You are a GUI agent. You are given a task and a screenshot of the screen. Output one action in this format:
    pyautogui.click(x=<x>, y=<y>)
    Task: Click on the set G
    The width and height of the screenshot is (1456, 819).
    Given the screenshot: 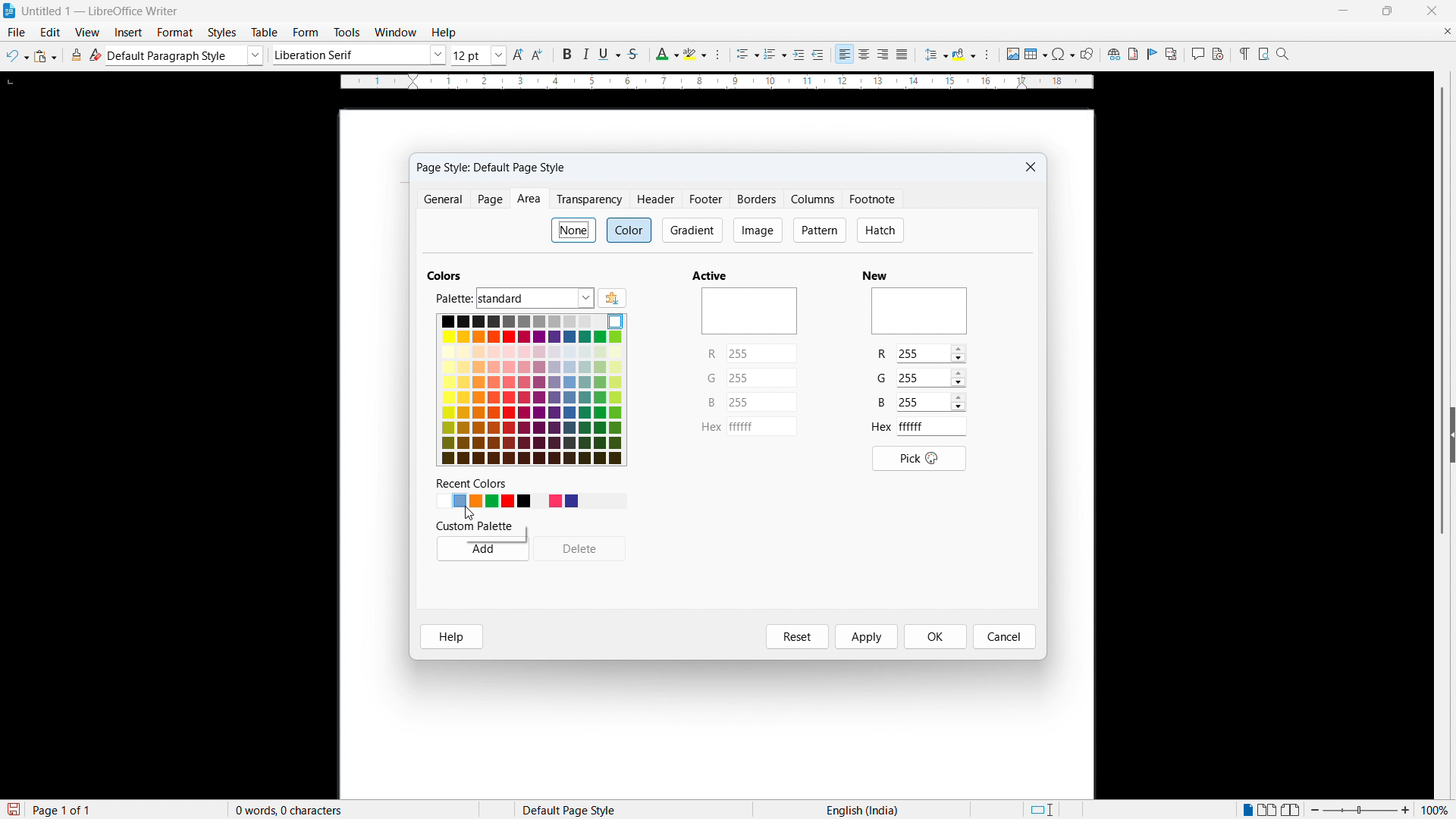 What is the action you would take?
    pyautogui.click(x=930, y=377)
    